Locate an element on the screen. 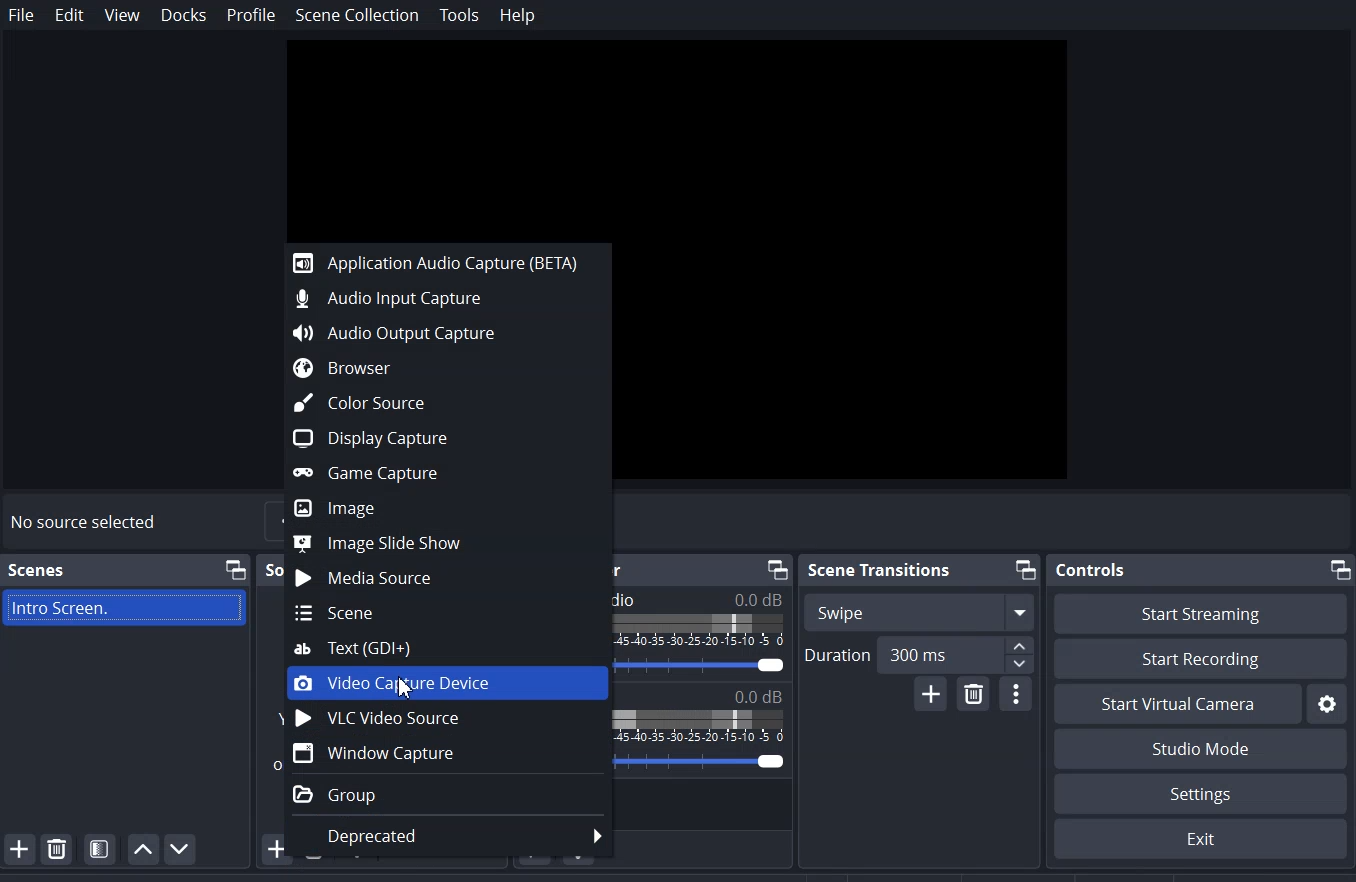  Color Source is located at coordinates (438, 403).